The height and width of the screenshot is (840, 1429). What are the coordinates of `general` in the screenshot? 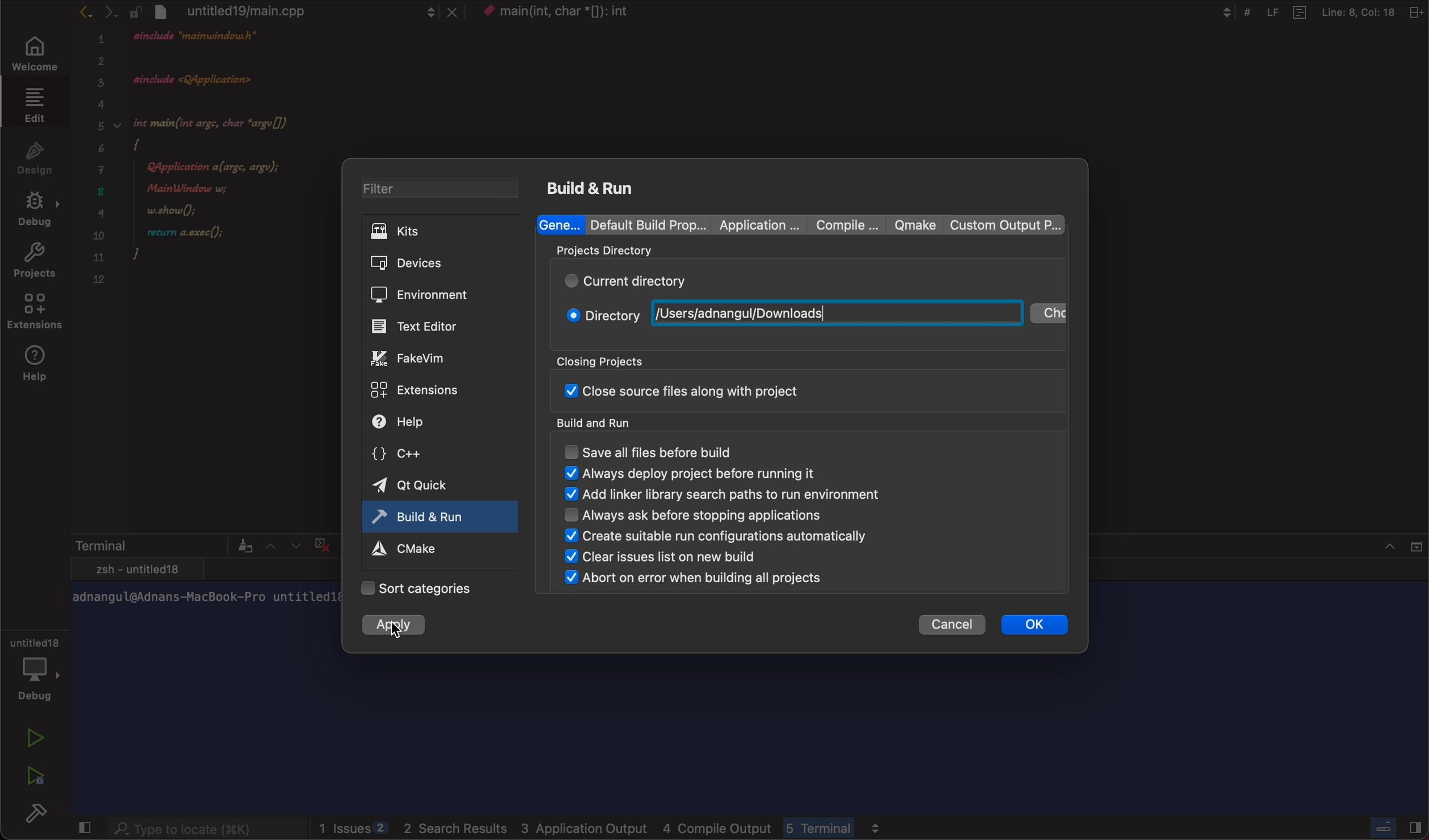 It's located at (561, 223).